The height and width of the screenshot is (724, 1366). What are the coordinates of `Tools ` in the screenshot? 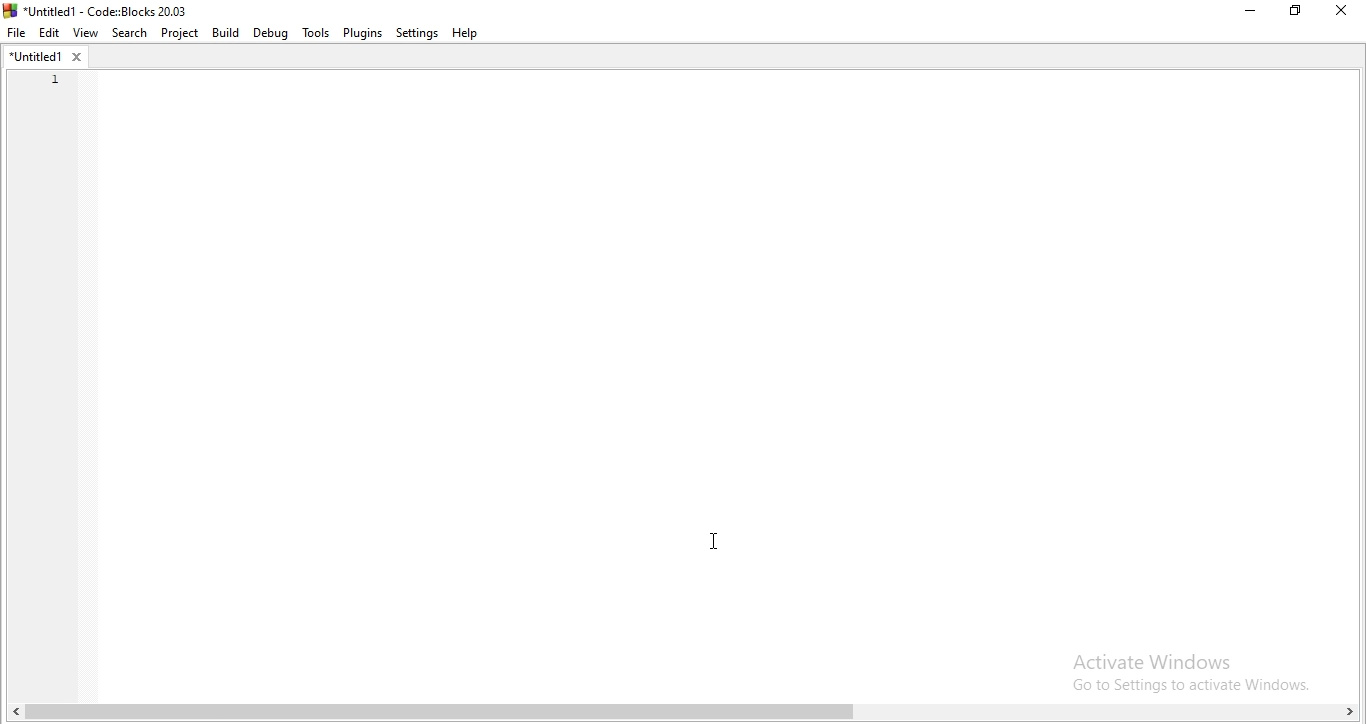 It's located at (316, 30).